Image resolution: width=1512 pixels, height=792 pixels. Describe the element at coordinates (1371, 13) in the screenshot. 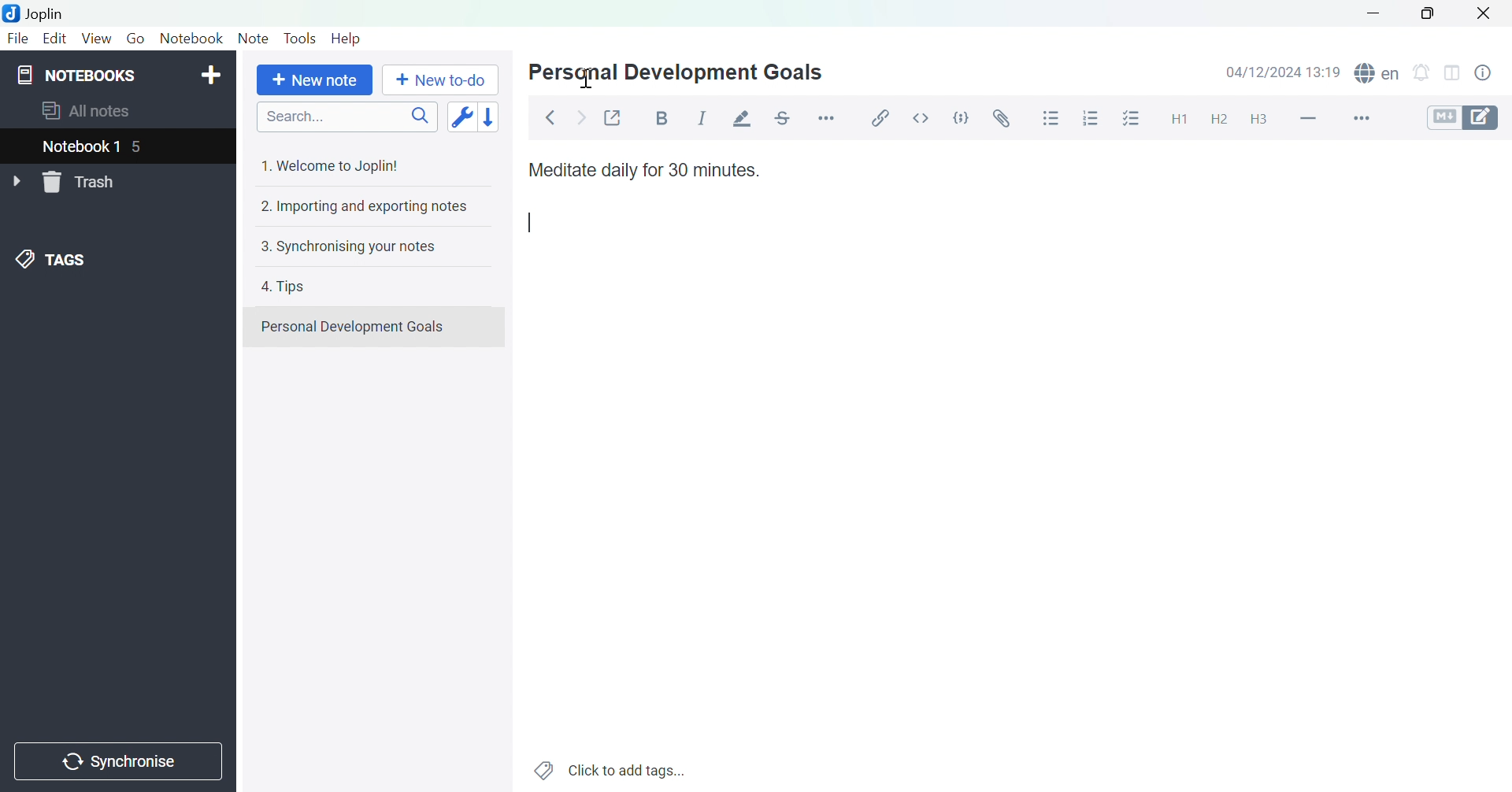

I see `Minimize` at that location.